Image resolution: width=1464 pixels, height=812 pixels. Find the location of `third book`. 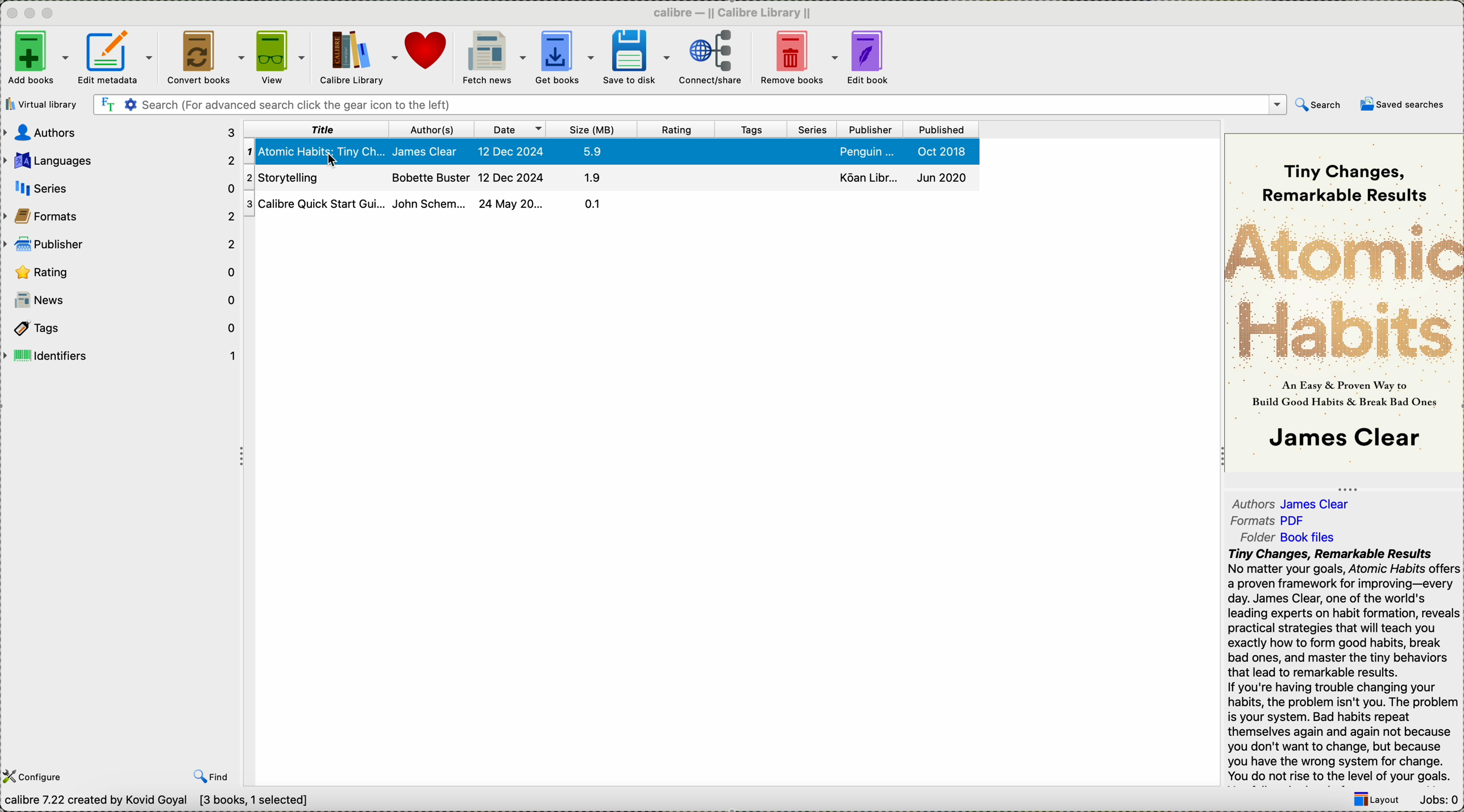

third book is located at coordinates (609, 203).